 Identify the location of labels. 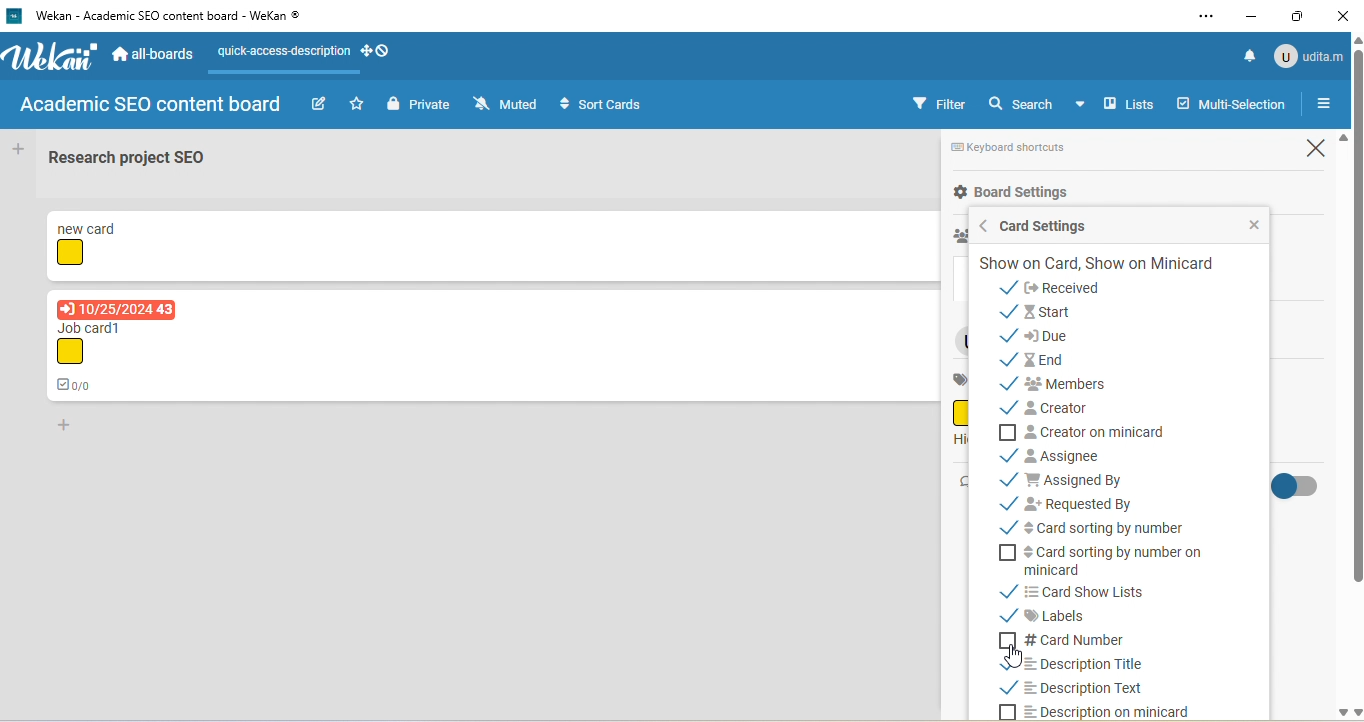
(1053, 614).